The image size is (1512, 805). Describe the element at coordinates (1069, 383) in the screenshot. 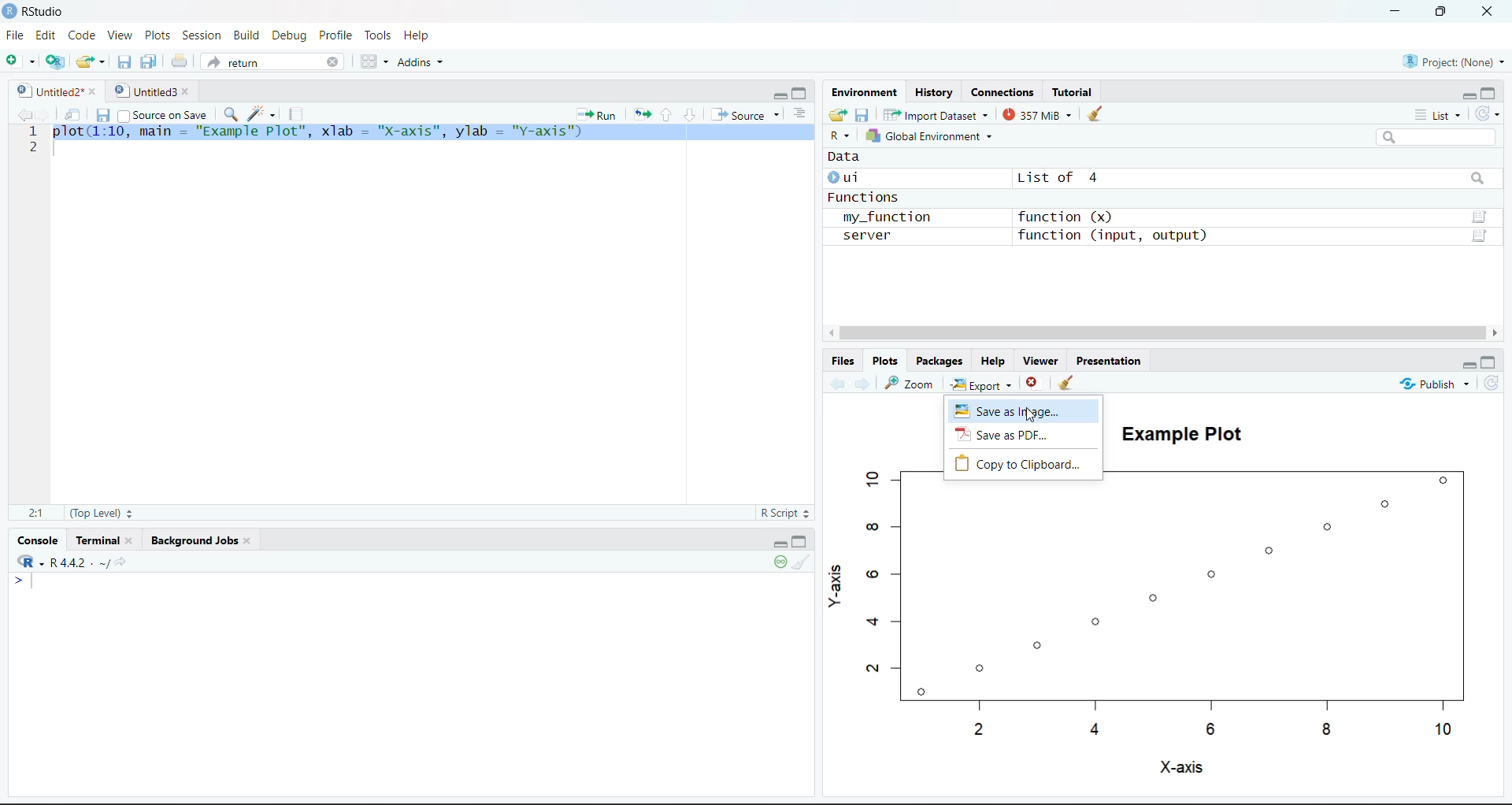

I see `Clear console (Ctrl +L)` at that location.